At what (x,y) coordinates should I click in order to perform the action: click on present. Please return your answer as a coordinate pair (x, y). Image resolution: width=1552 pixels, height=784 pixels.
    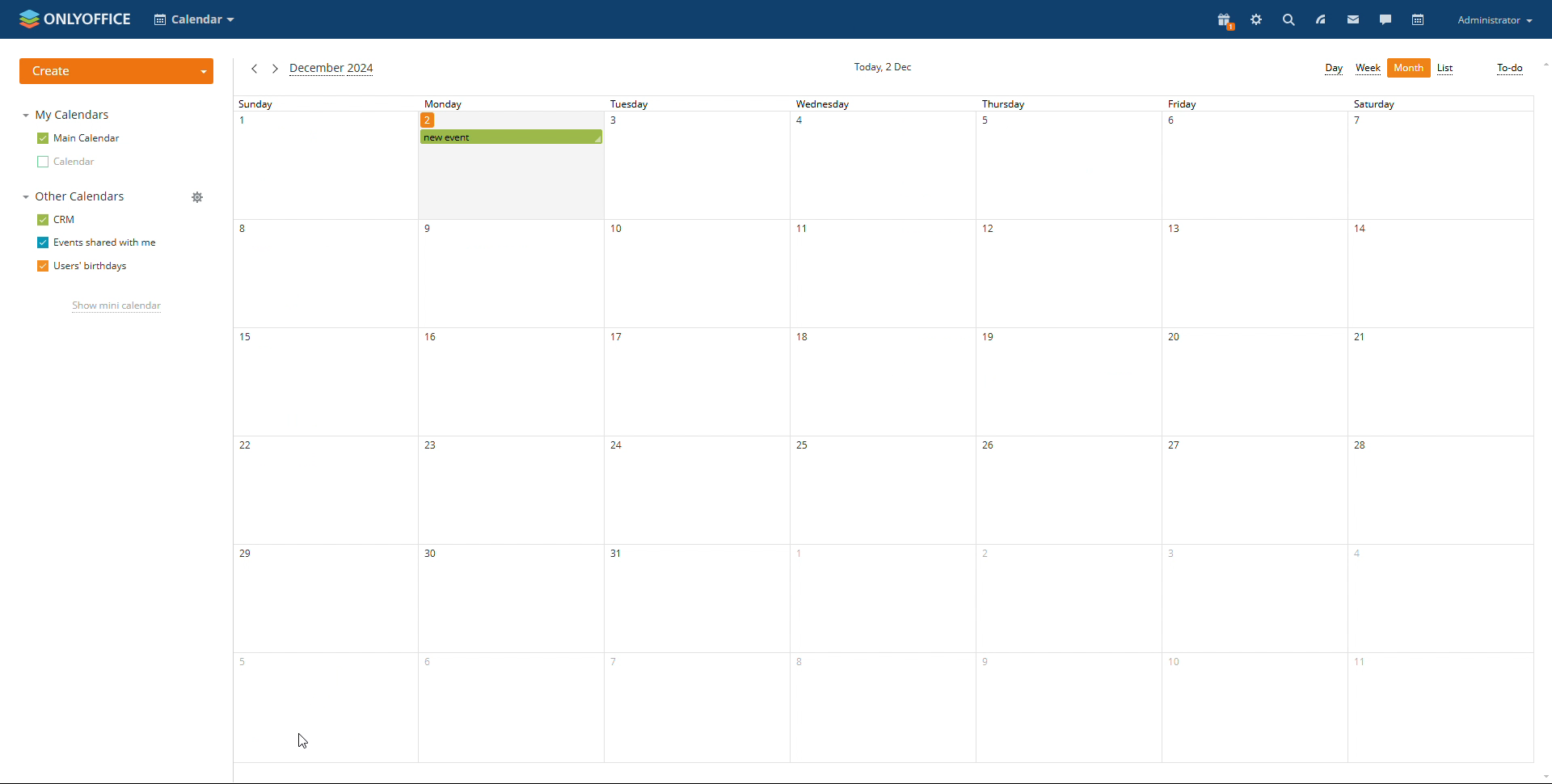
    Looking at the image, I should click on (1225, 21).